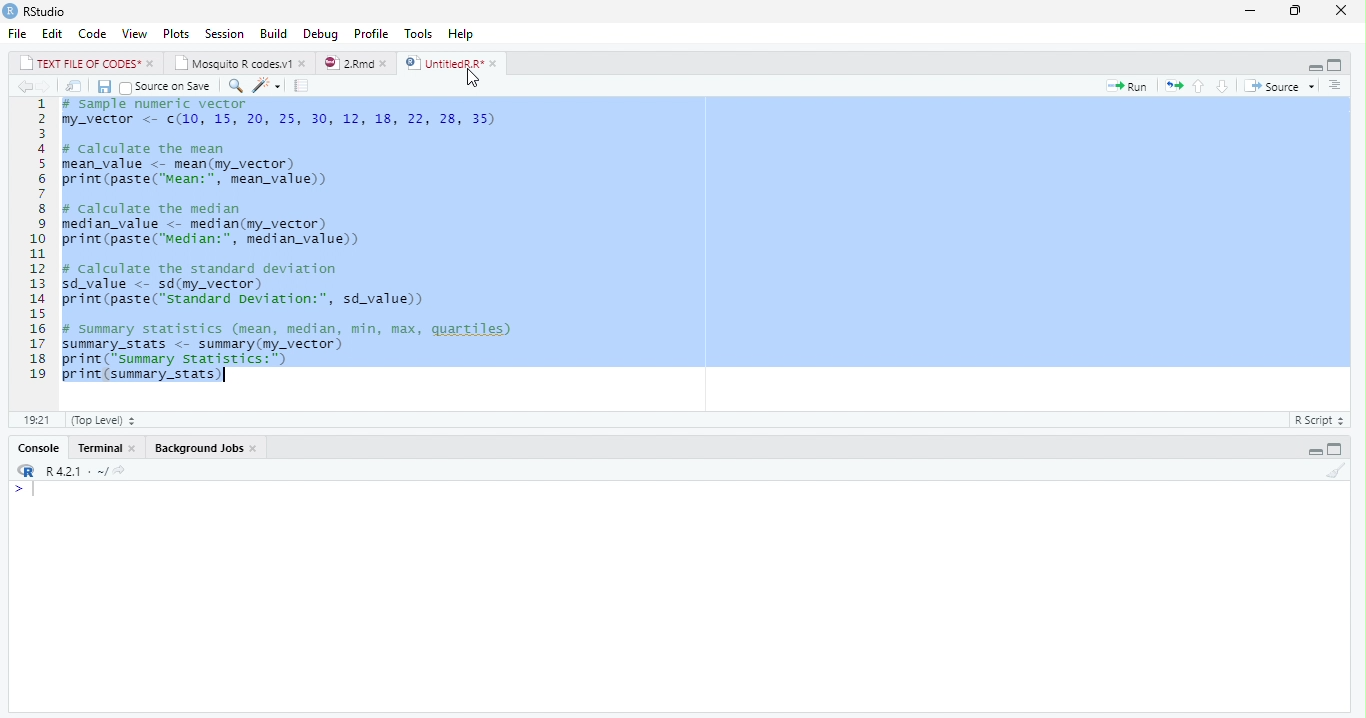 The width and height of the screenshot is (1366, 718). I want to click on Background Jobs, so click(199, 448).